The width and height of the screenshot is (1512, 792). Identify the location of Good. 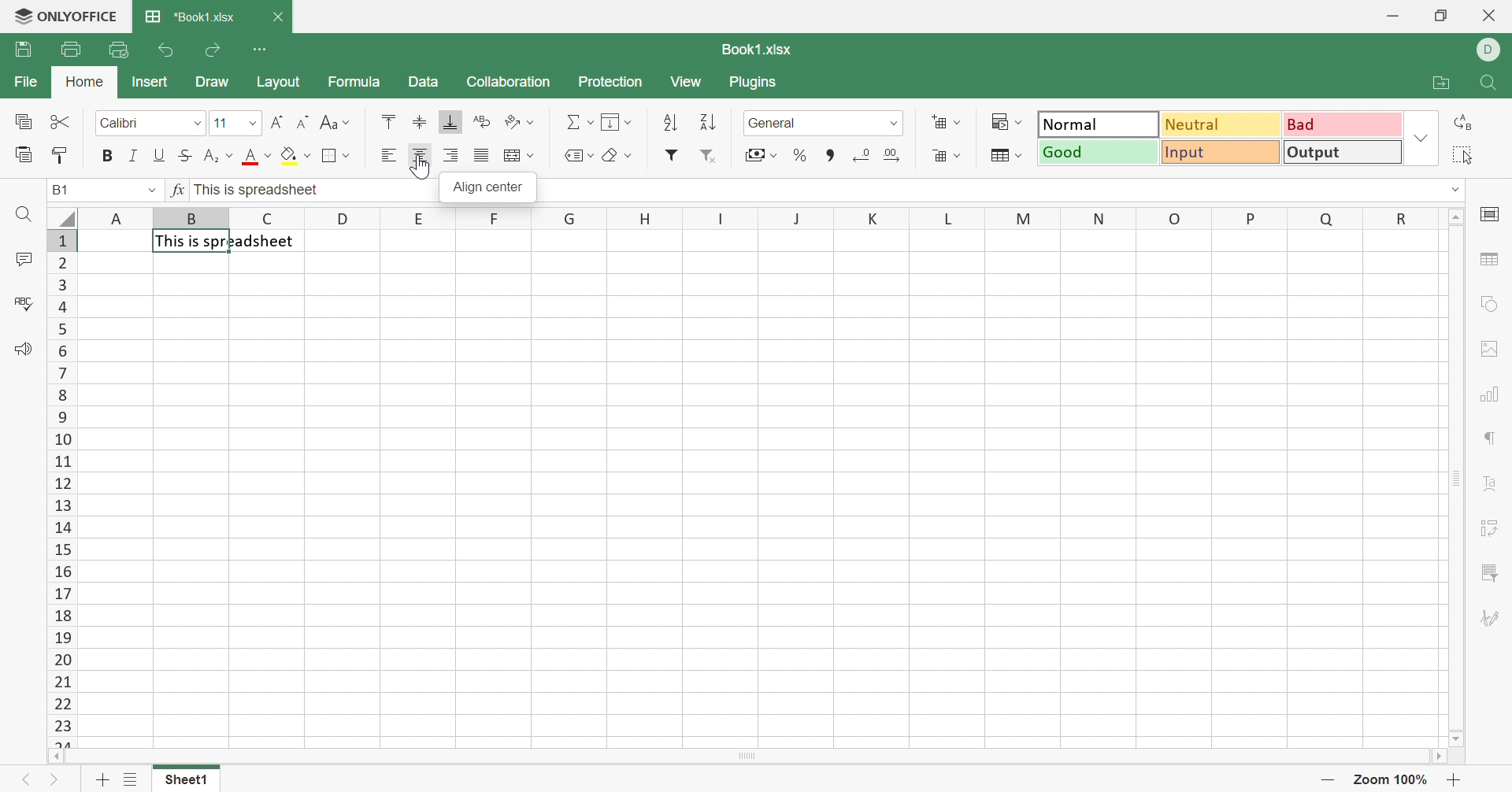
(1100, 152).